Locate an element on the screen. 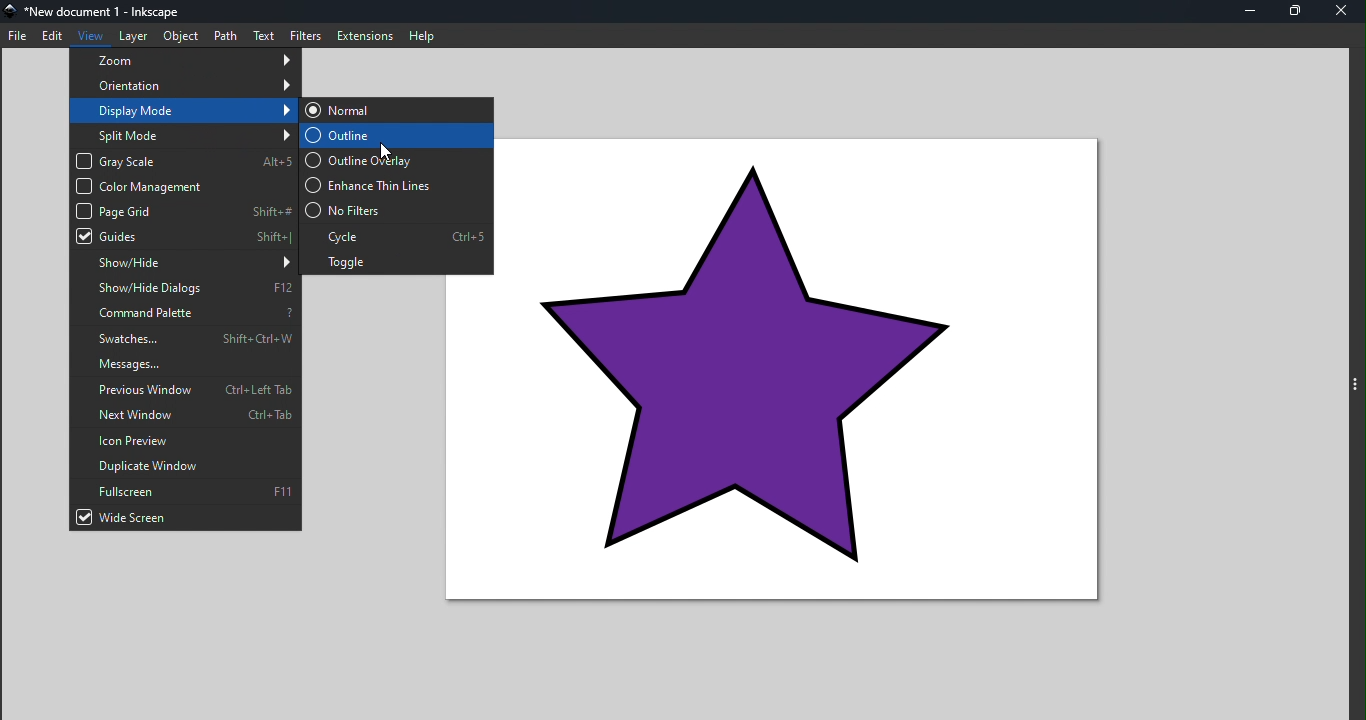 The height and width of the screenshot is (720, 1366). Color management is located at coordinates (181, 185).